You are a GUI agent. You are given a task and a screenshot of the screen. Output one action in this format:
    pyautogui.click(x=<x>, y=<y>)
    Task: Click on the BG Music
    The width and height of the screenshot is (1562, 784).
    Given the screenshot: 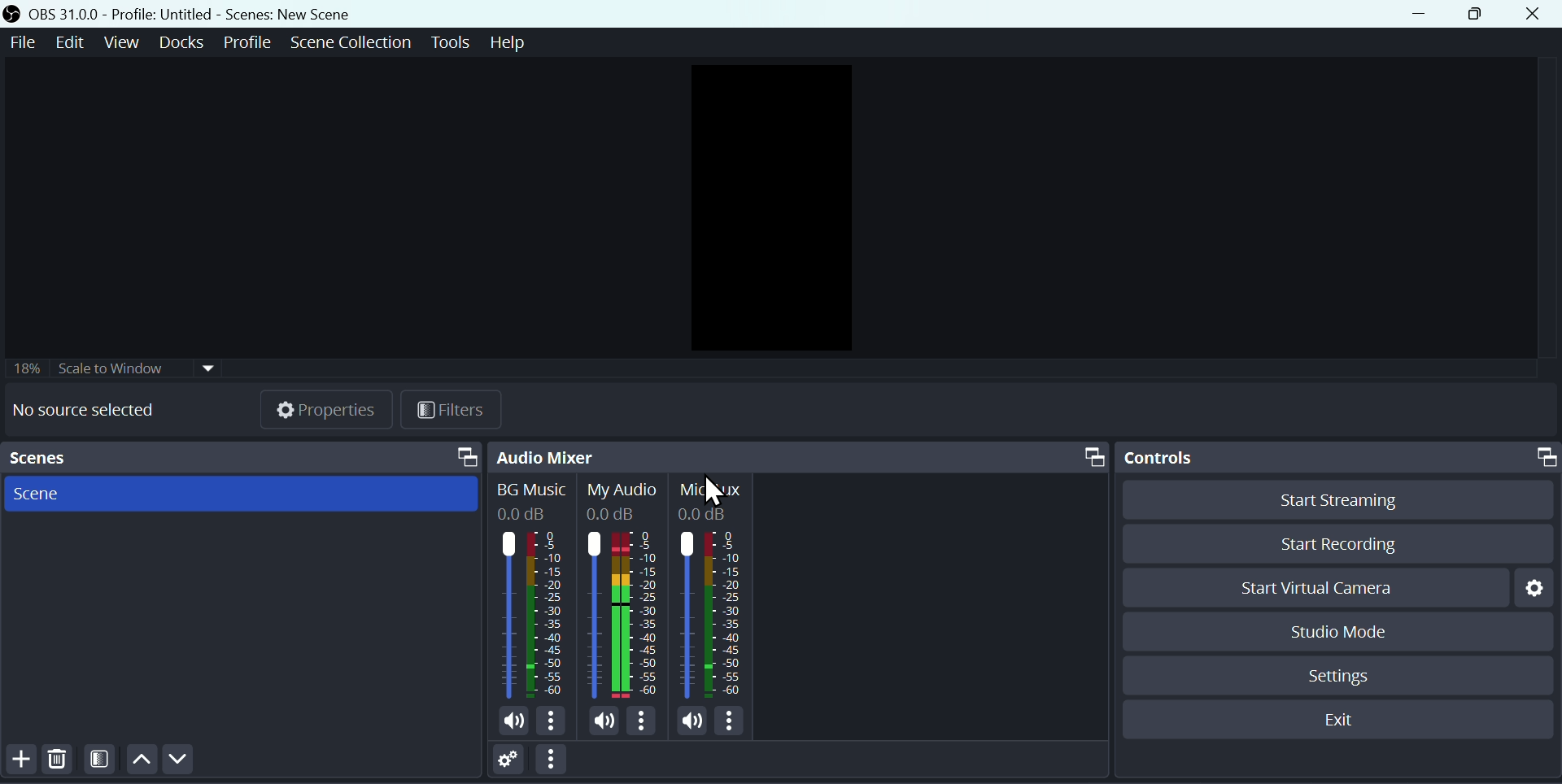 What is the action you would take?
    pyautogui.click(x=527, y=486)
    